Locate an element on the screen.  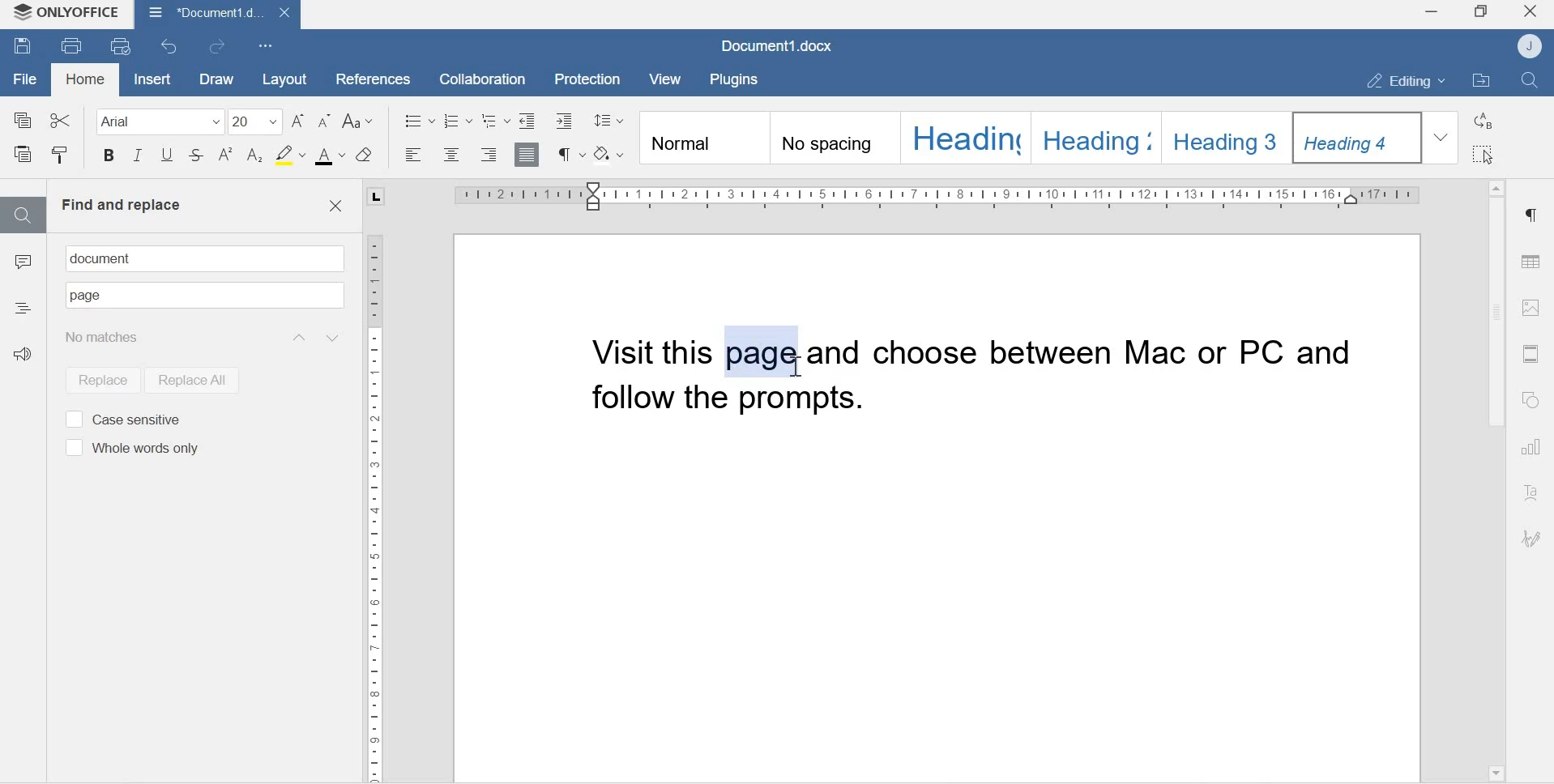
Header & Footer is located at coordinates (1531, 353).